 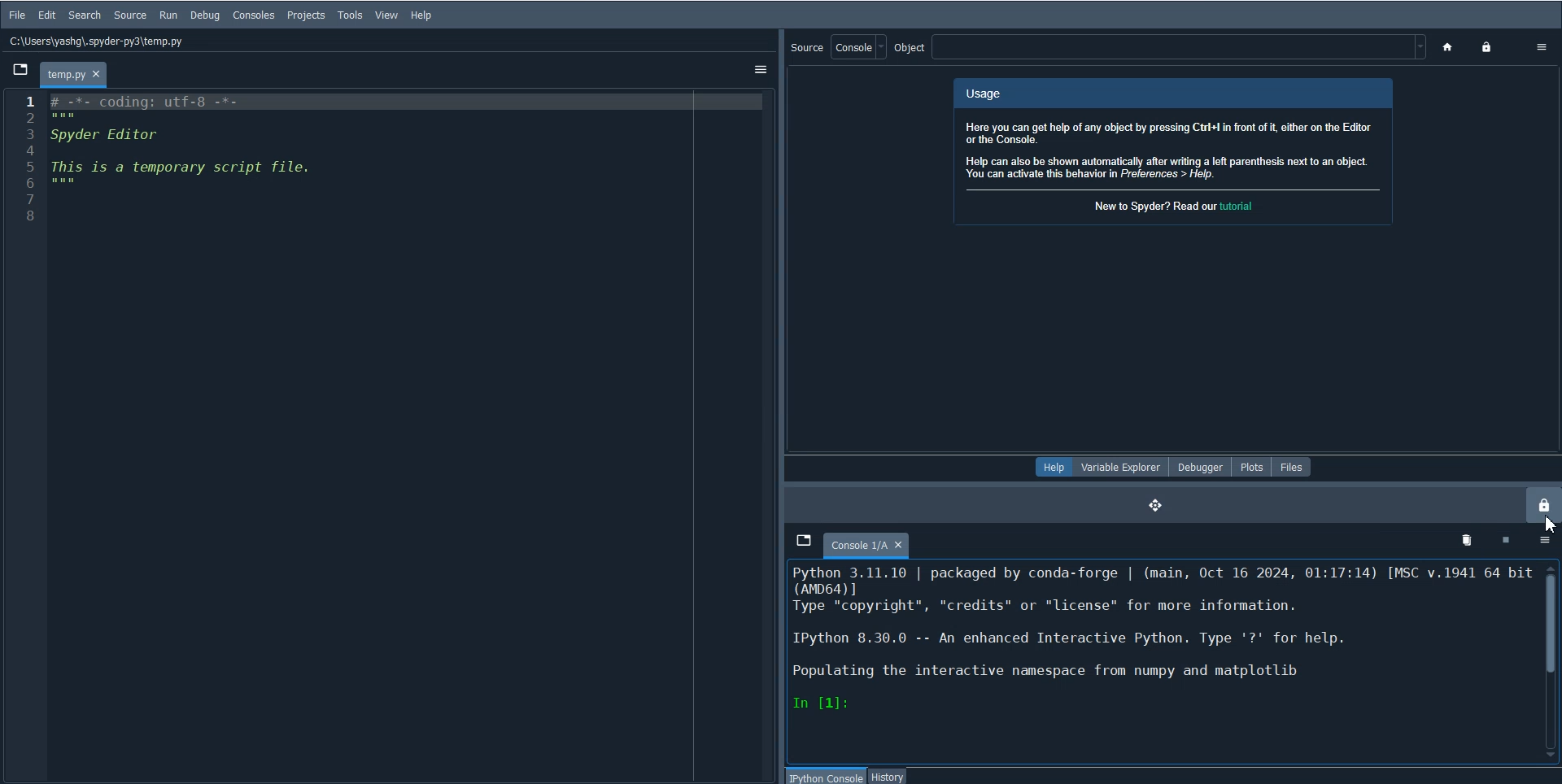 What do you see at coordinates (306, 15) in the screenshot?
I see `Projects` at bounding box center [306, 15].